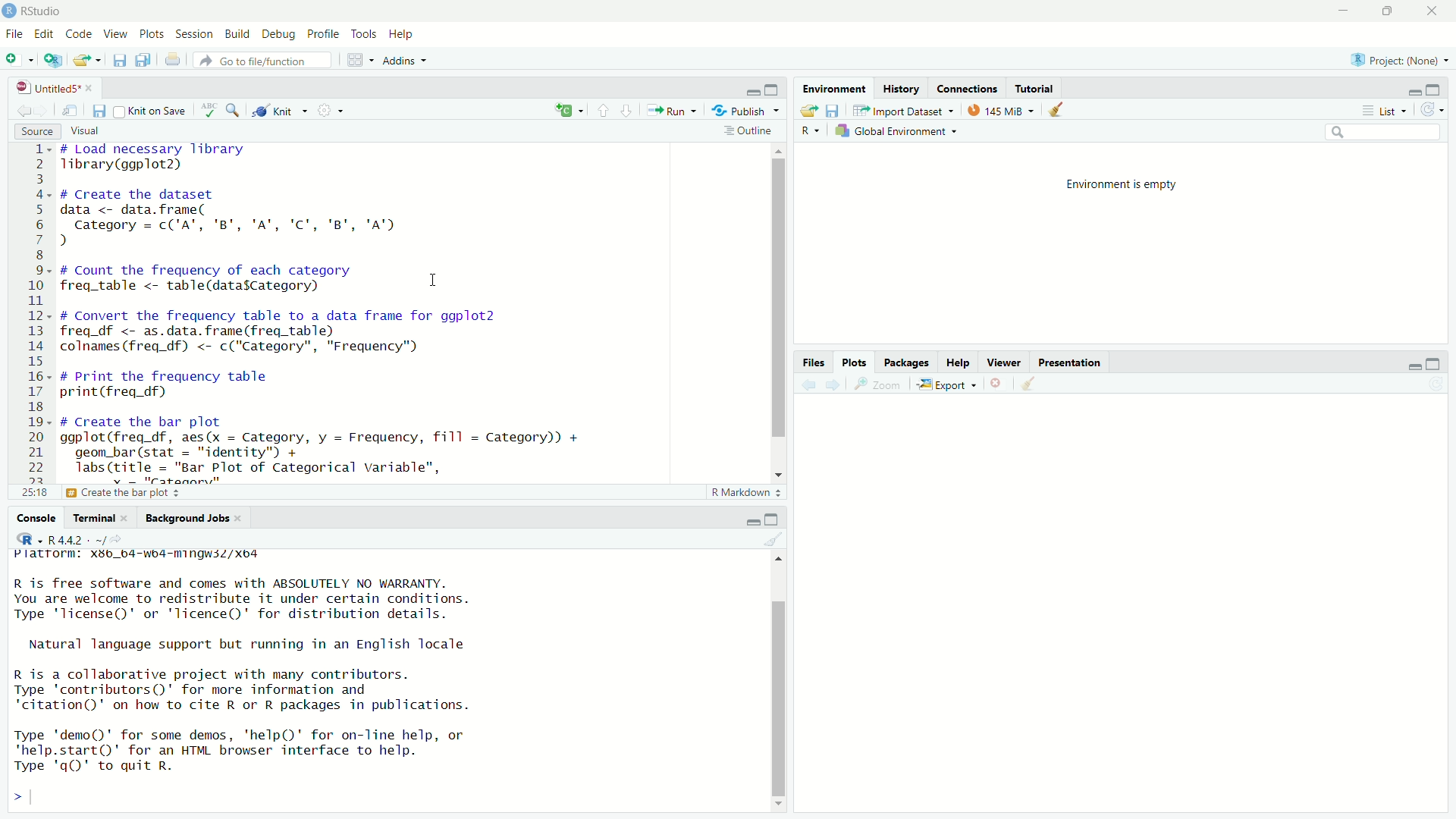 The height and width of the screenshot is (819, 1456). Describe the element at coordinates (279, 111) in the screenshot. I see `knit` at that location.